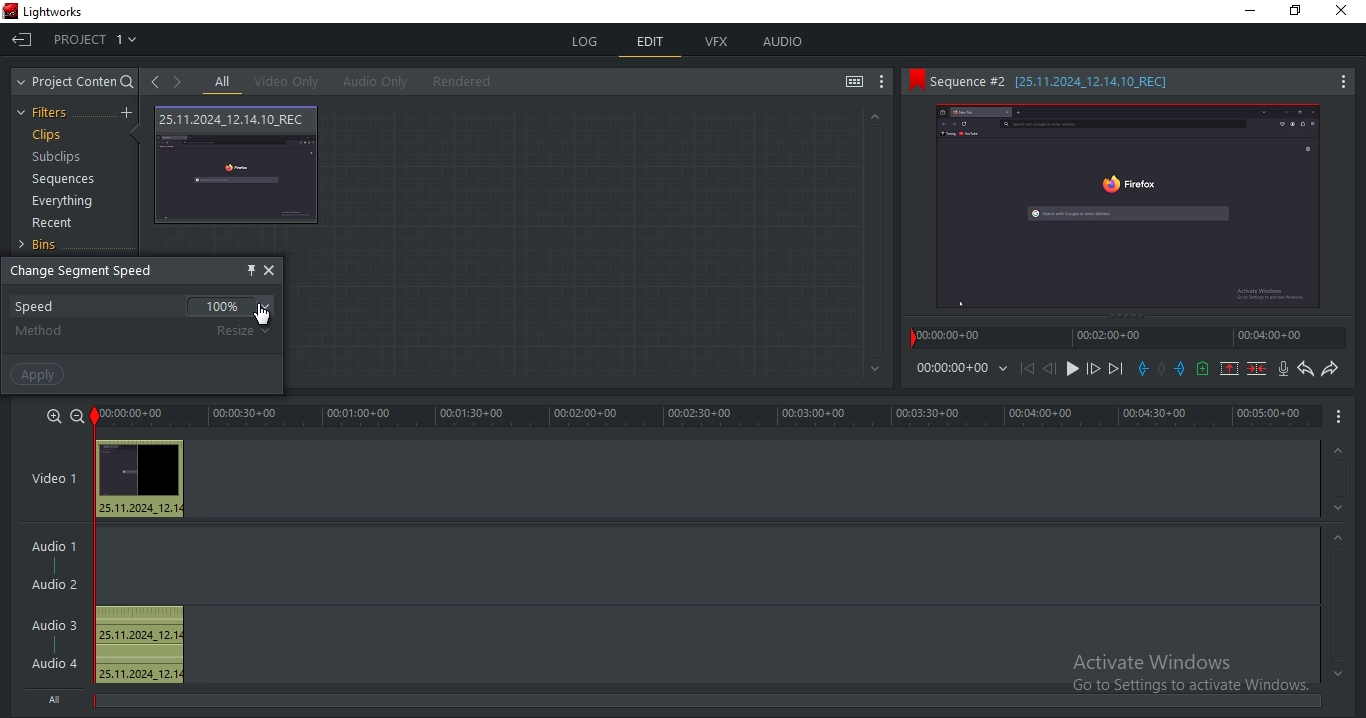 This screenshot has width=1366, height=718. What do you see at coordinates (468, 82) in the screenshot?
I see `rendered ` at bounding box center [468, 82].